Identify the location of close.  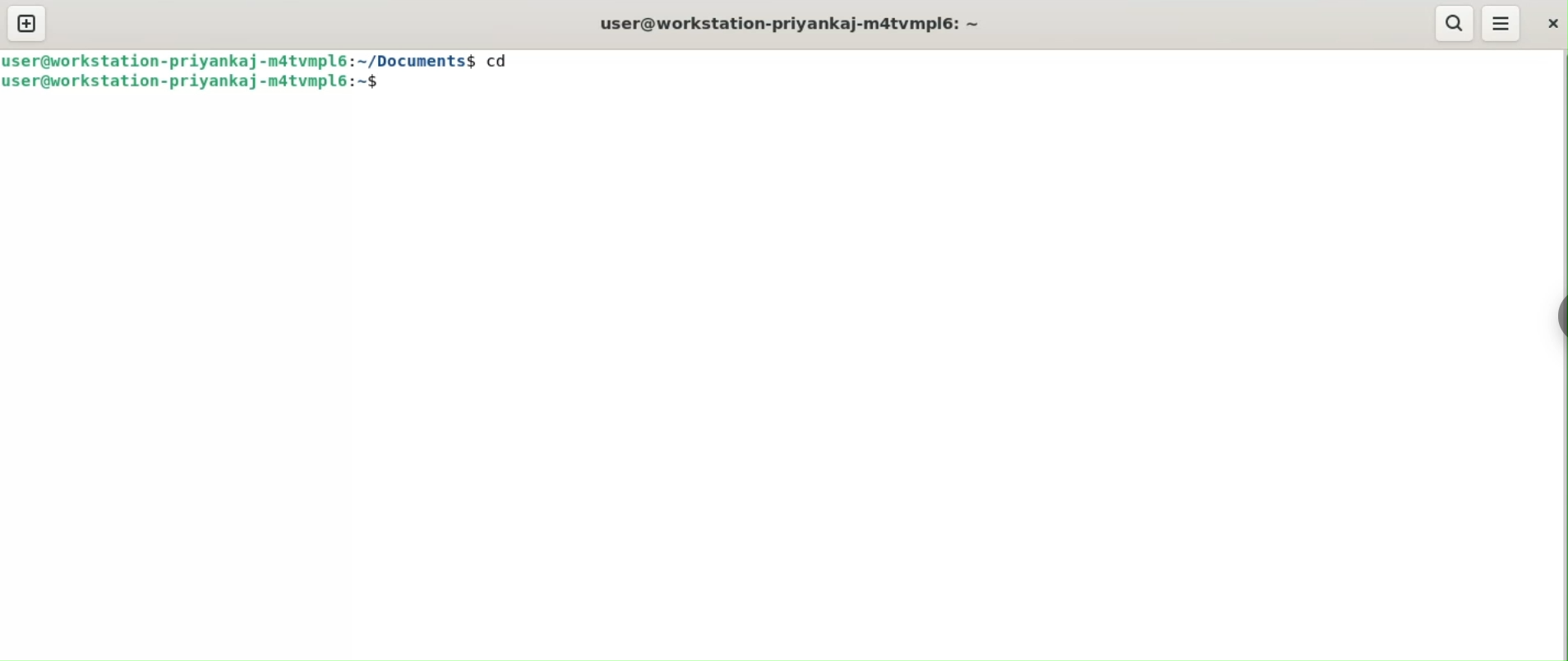
(1553, 23).